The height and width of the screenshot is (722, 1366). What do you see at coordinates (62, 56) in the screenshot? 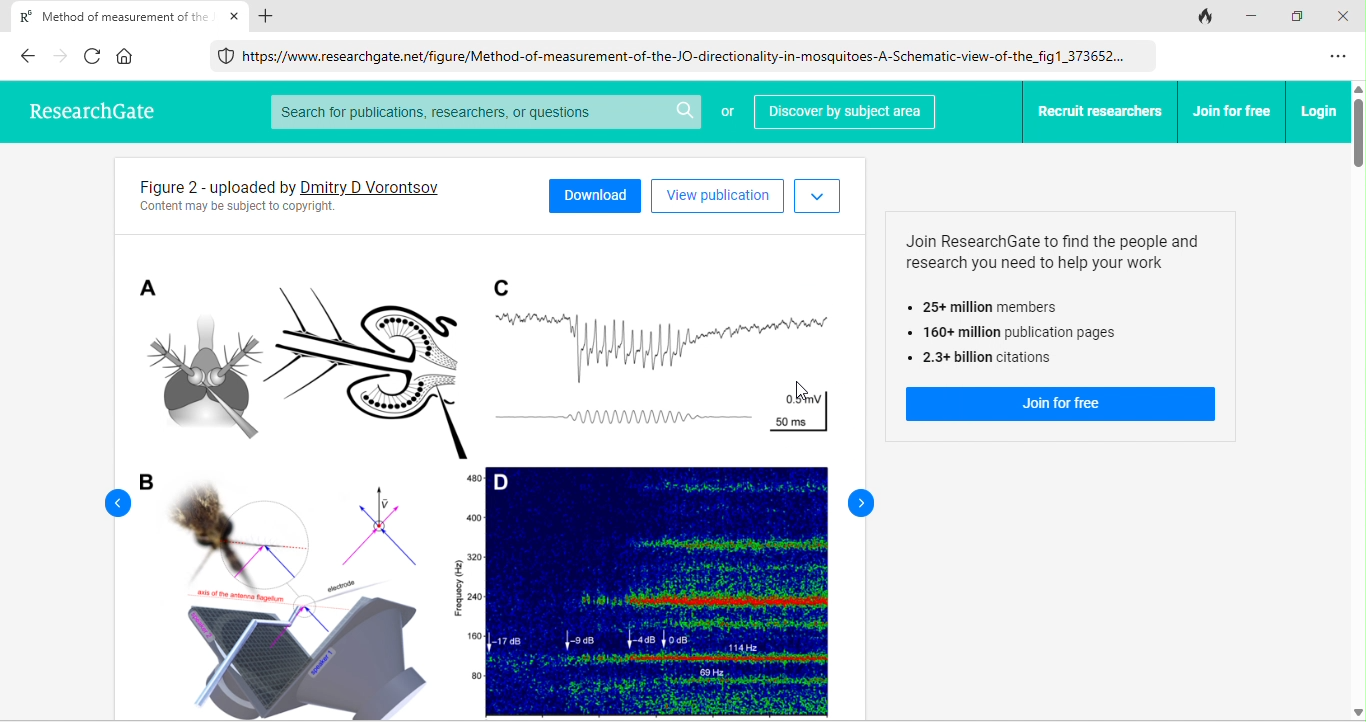
I see `forward` at bounding box center [62, 56].